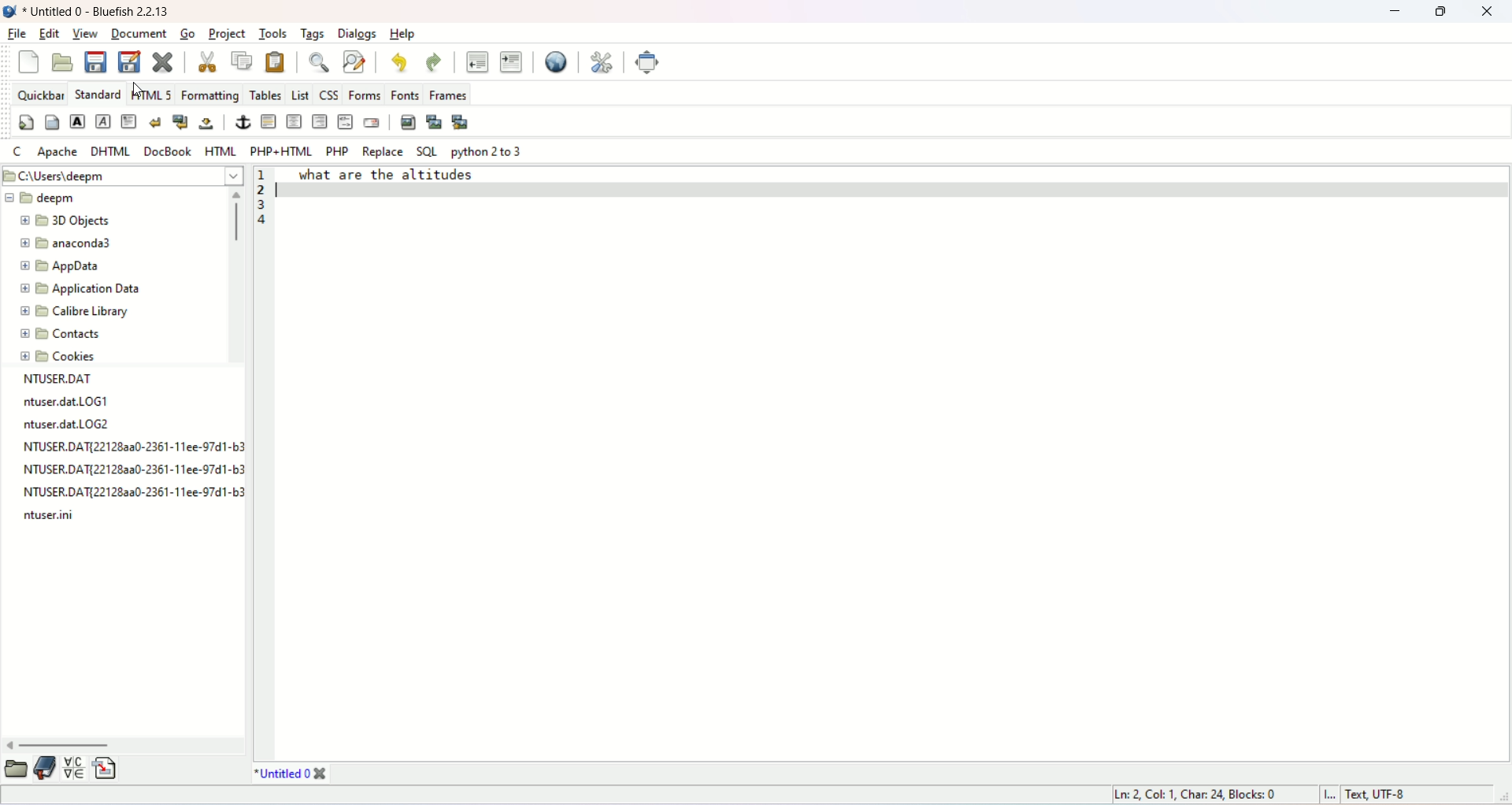  What do you see at coordinates (273, 33) in the screenshot?
I see `tools` at bounding box center [273, 33].